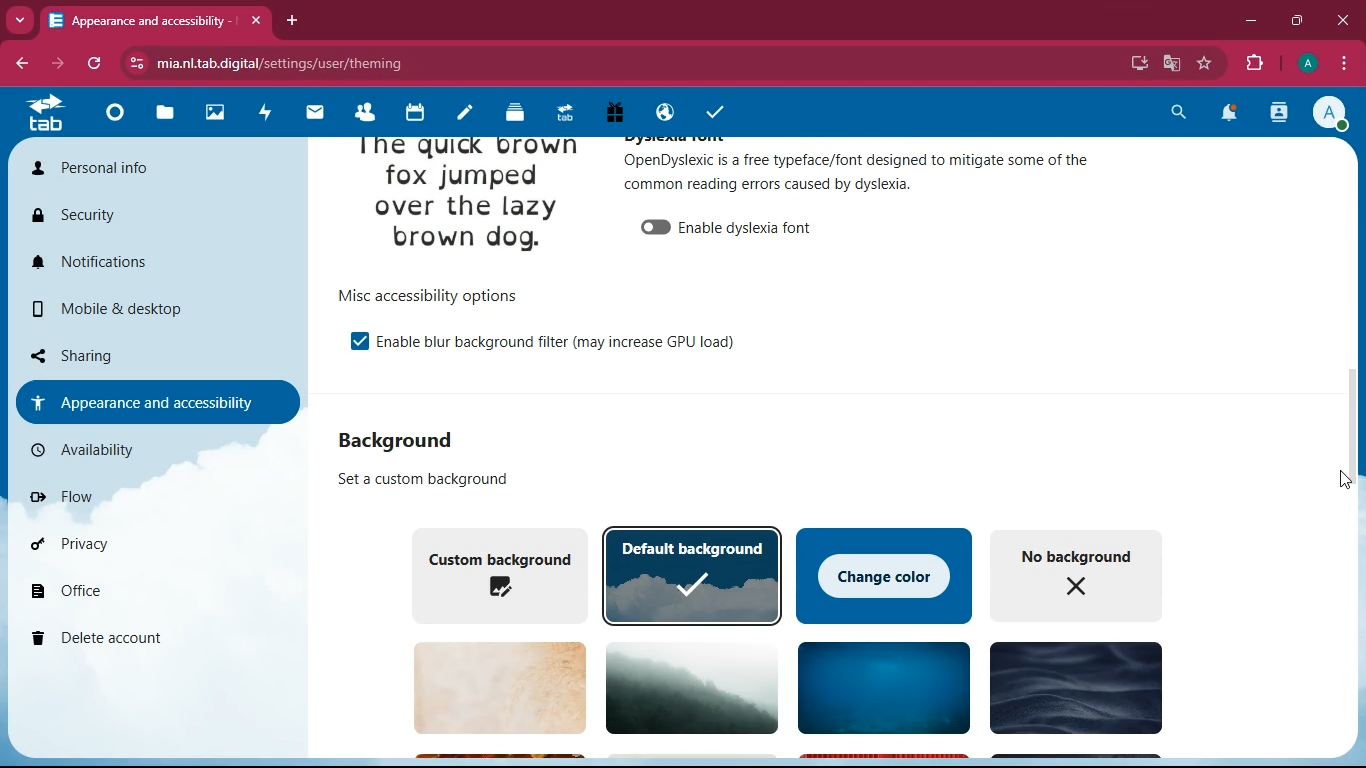 This screenshot has height=768, width=1366. I want to click on background, so click(684, 686).